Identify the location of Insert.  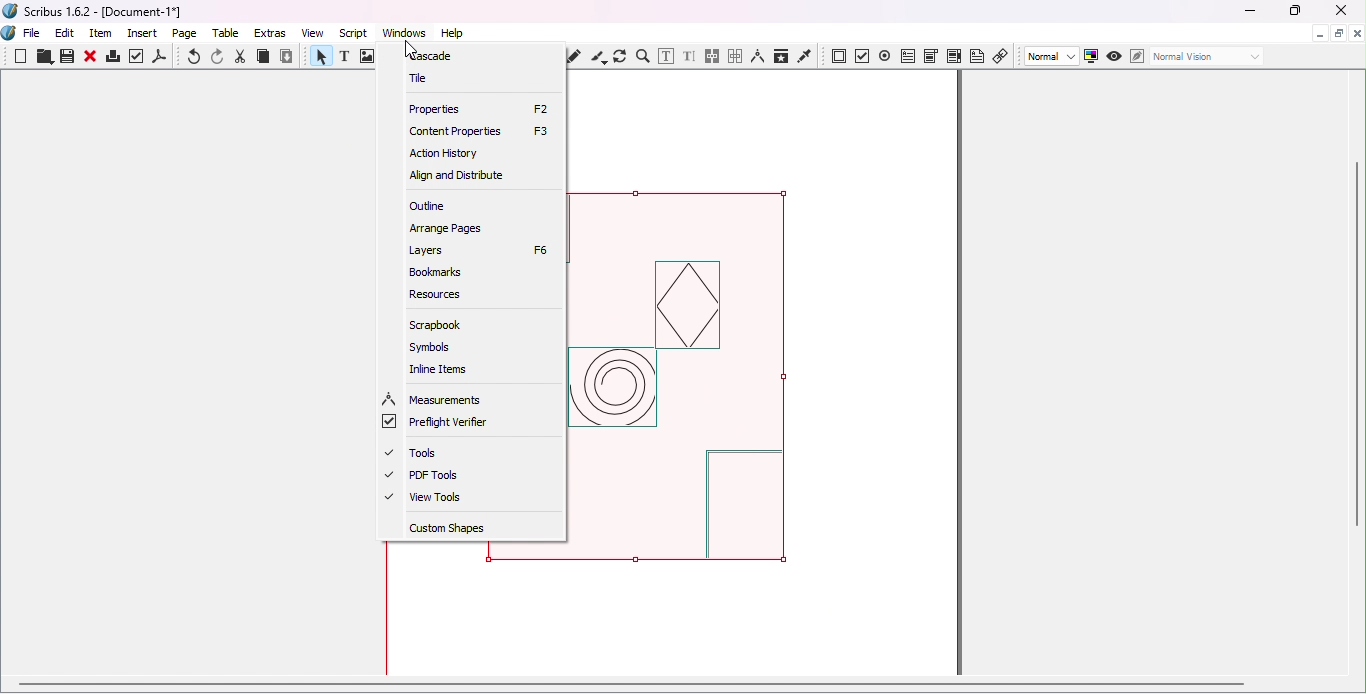
(145, 31).